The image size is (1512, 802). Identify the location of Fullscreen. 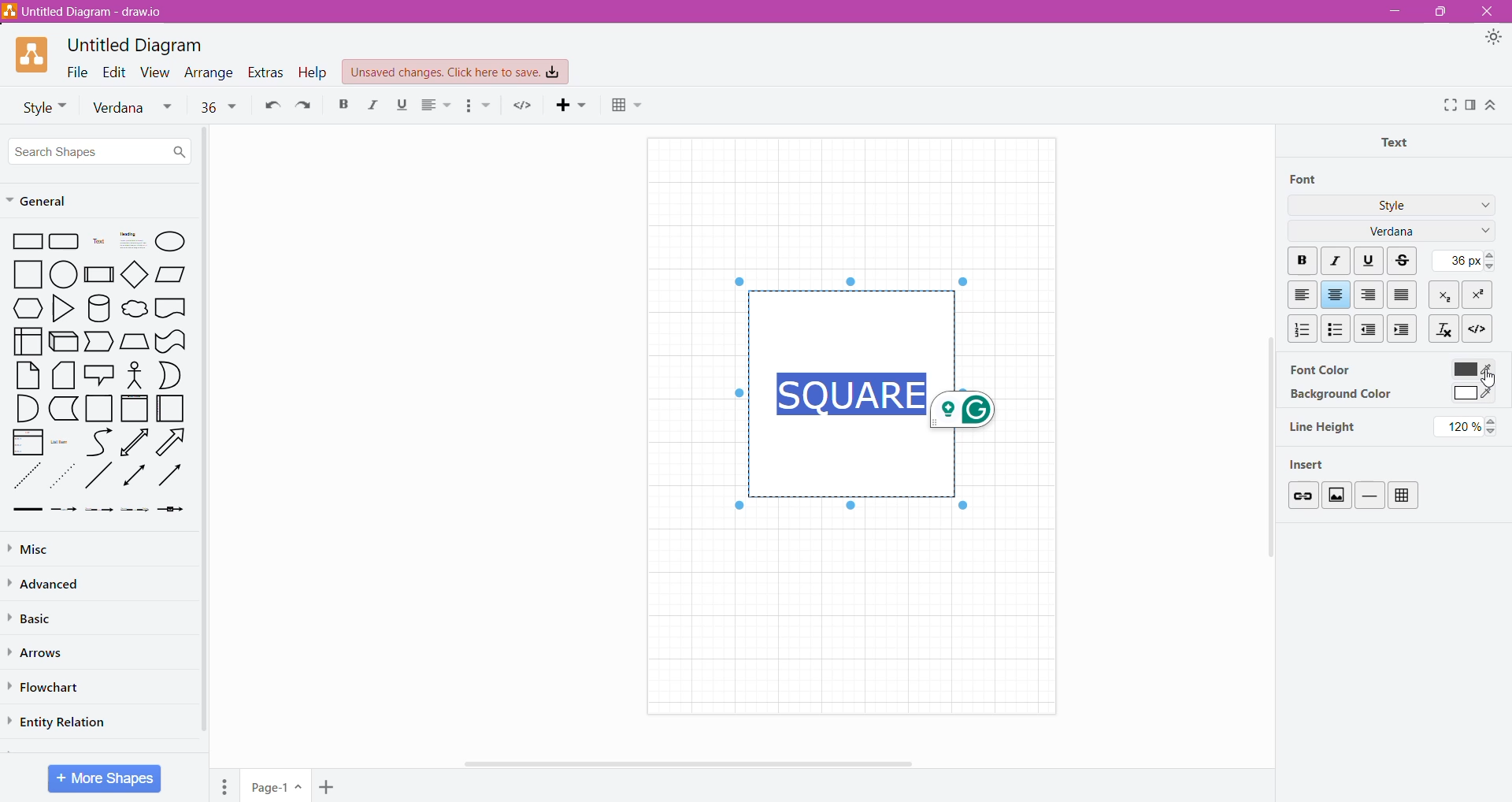
(1449, 106).